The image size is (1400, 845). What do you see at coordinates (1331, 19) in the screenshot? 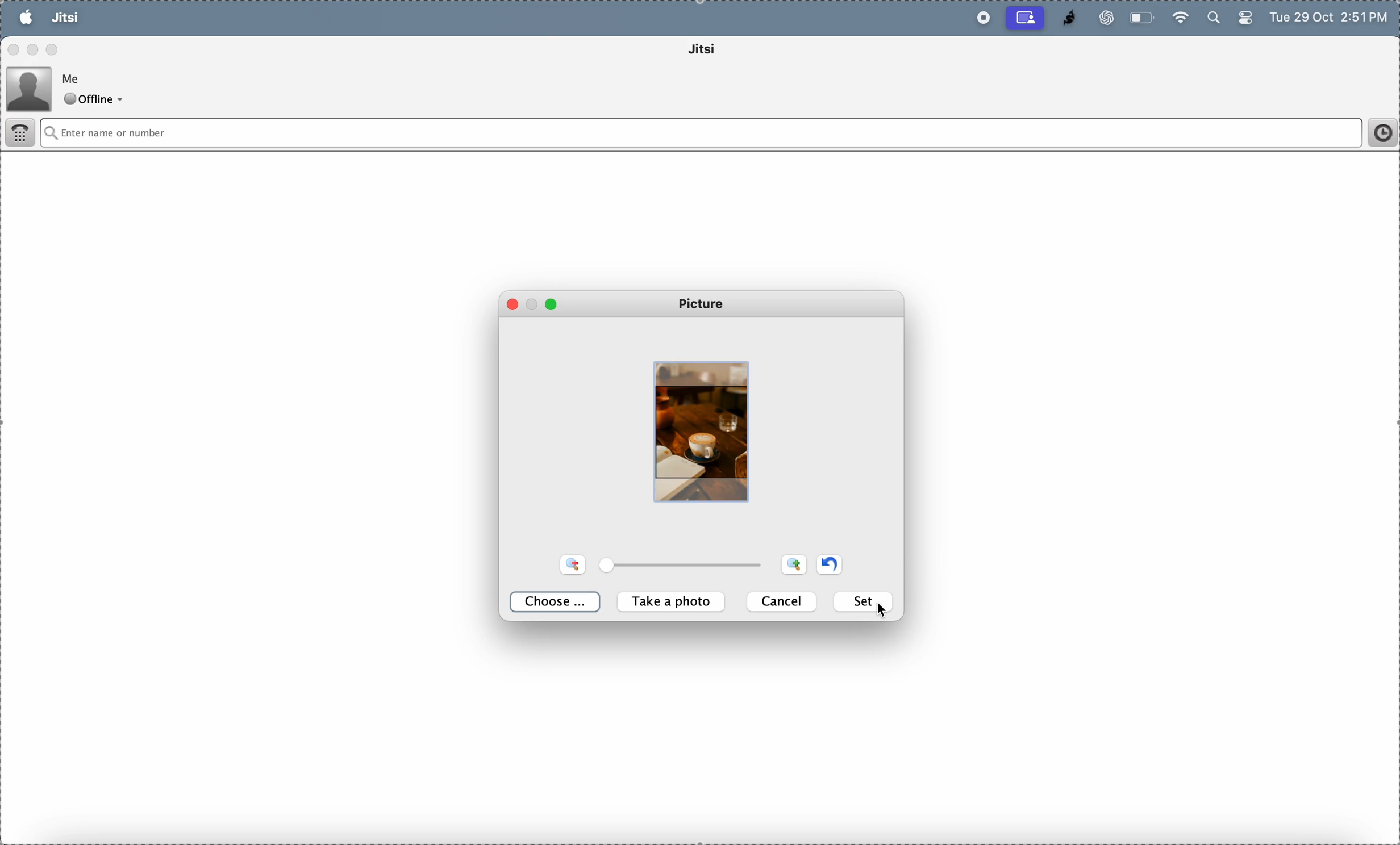
I see `Tue 29 Oct 2:51 PM` at bounding box center [1331, 19].